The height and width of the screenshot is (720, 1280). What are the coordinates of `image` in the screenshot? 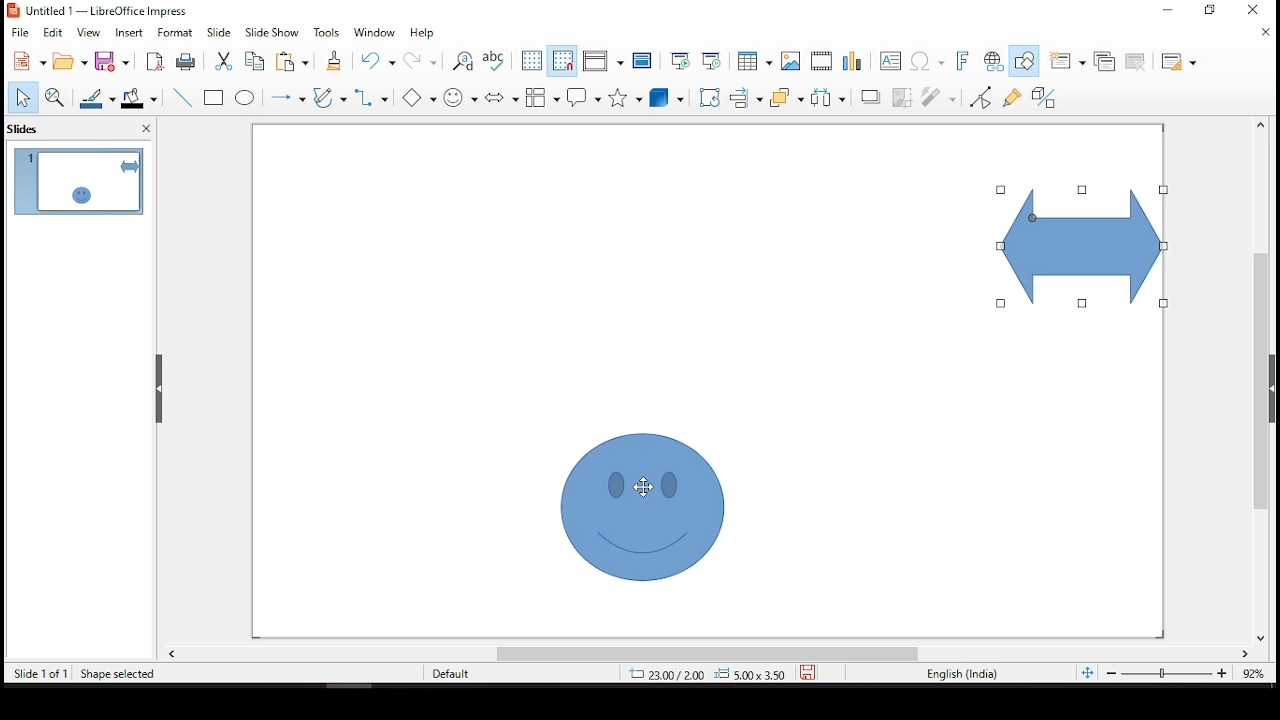 It's located at (791, 60).